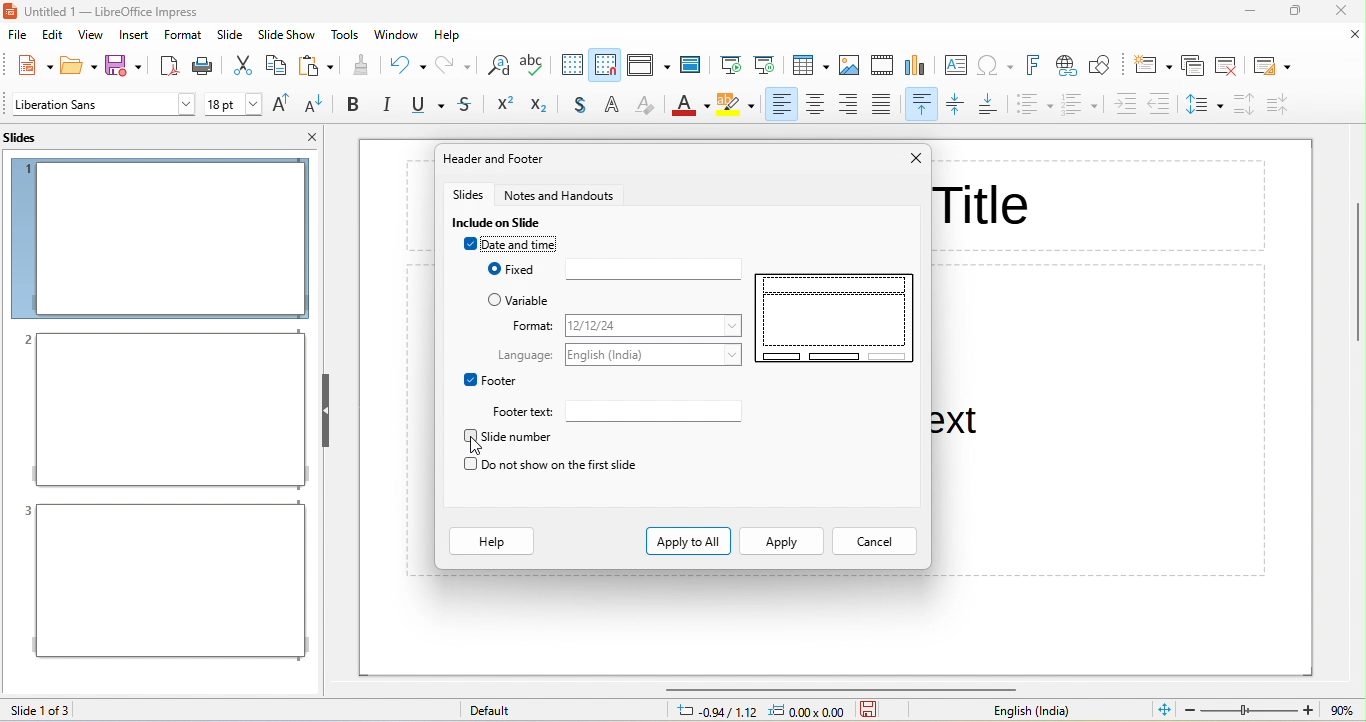 The image size is (1366, 722). Describe the element at coordinates (780, 542) in the screenshot. I see `apply` at that location.